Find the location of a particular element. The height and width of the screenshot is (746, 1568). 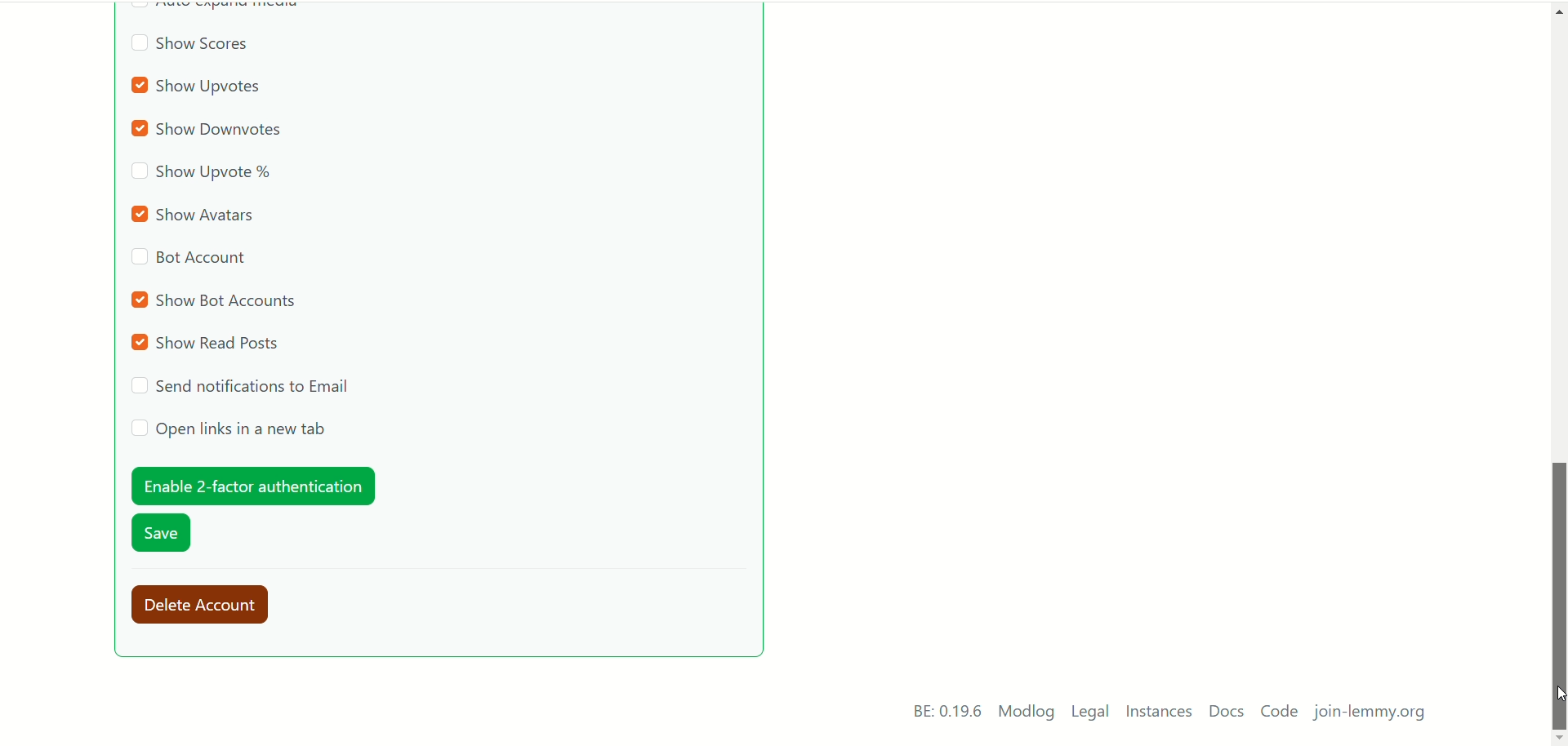

show avatars is located at coordinates (198, 214).